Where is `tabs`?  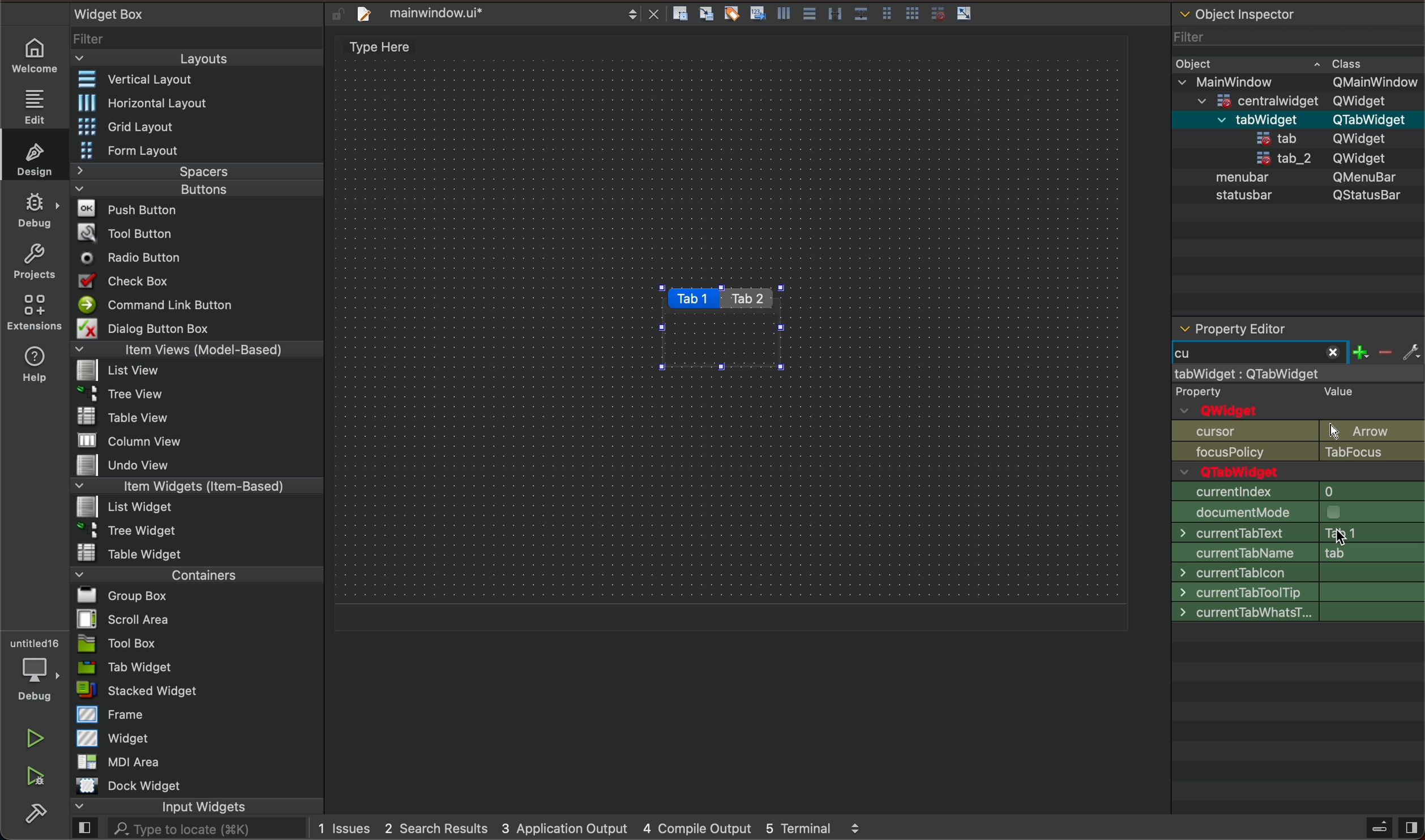
tabs is located at coordinates (724, 327).